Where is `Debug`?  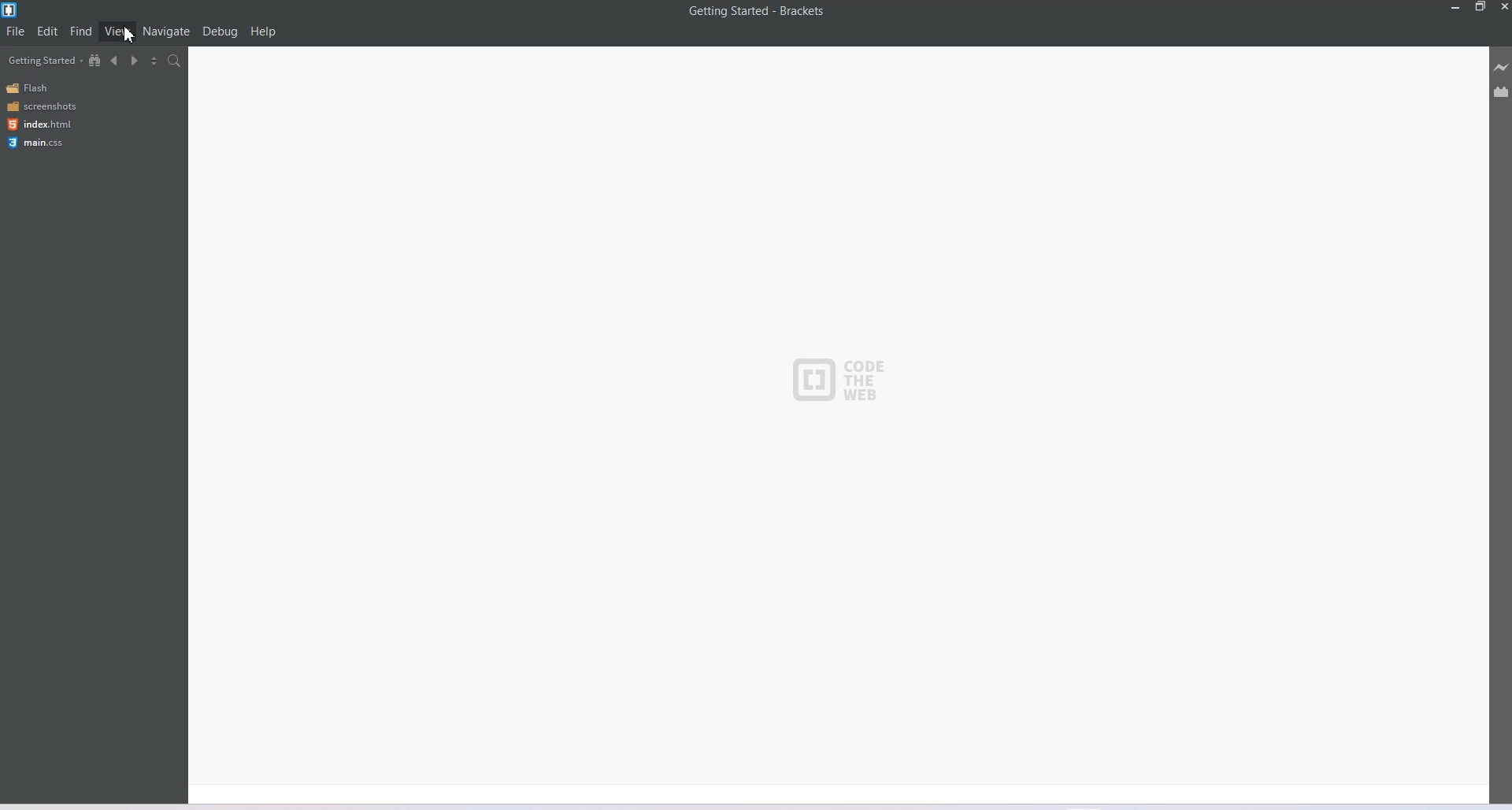 Debug is located at coordinates (220, 32).